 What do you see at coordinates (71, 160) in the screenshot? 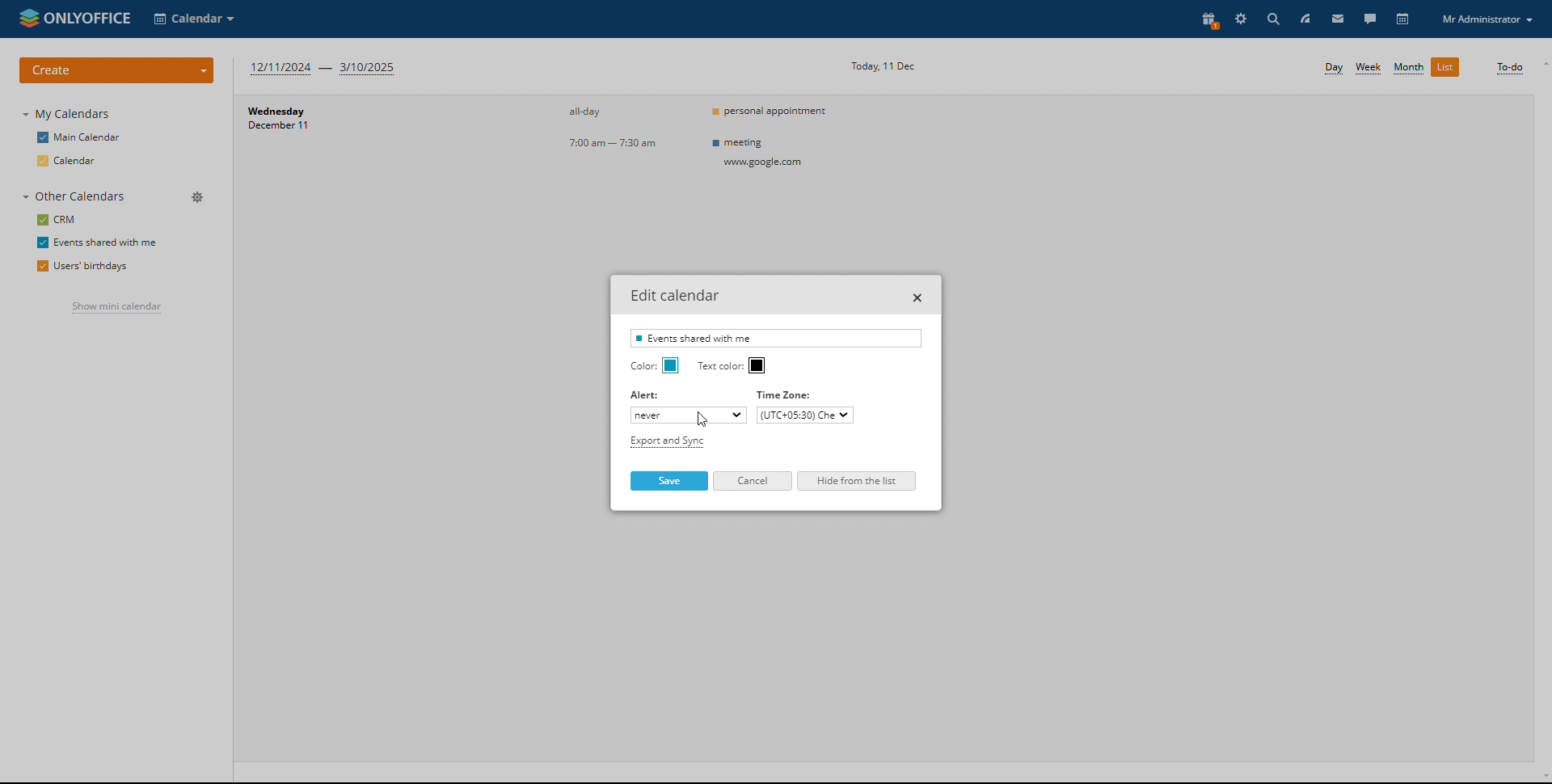
I see `calendar` at bounding box center [71, 160].